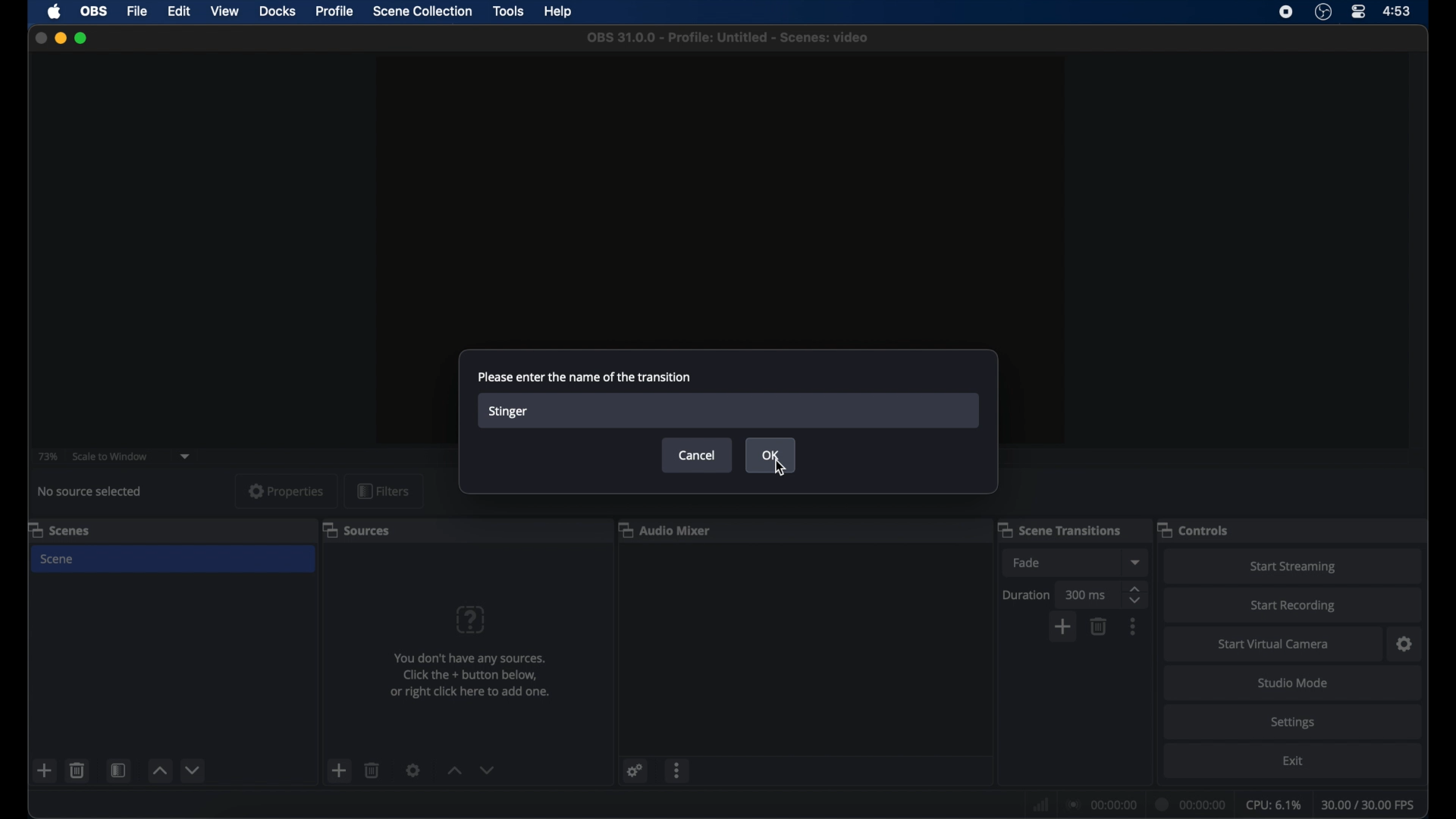  Describe the element at coordinates (224, 11) in the screenshot. I see `view` at that location.